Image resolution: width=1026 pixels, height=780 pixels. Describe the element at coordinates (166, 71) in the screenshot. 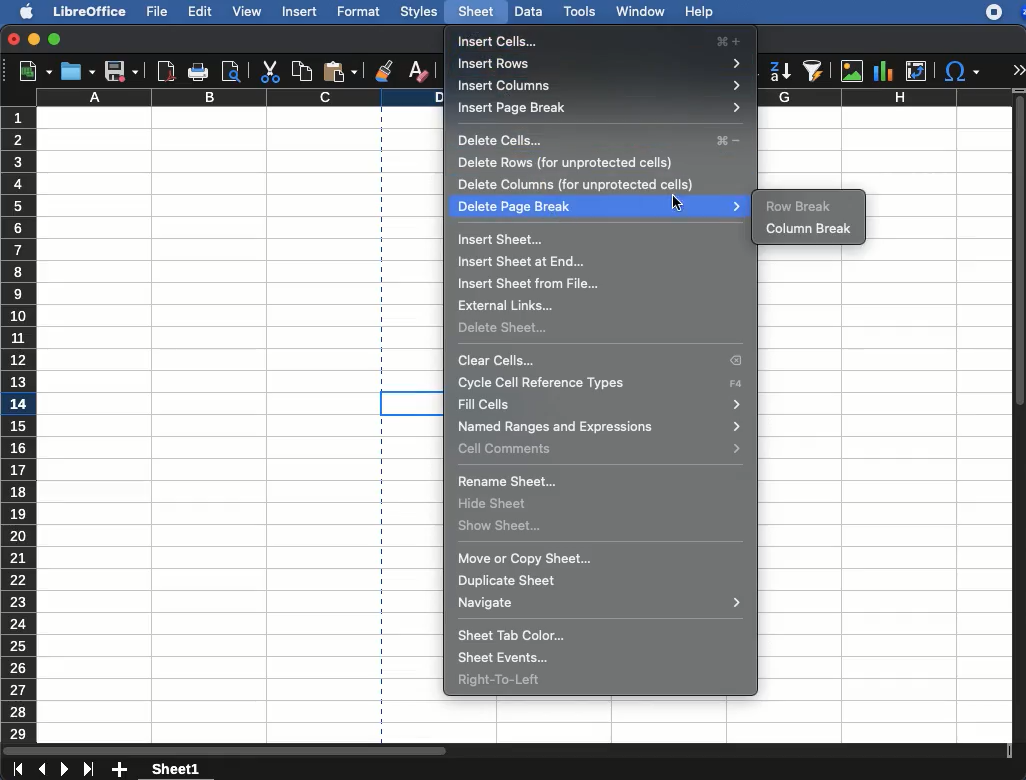

I see `pdf` at that location.